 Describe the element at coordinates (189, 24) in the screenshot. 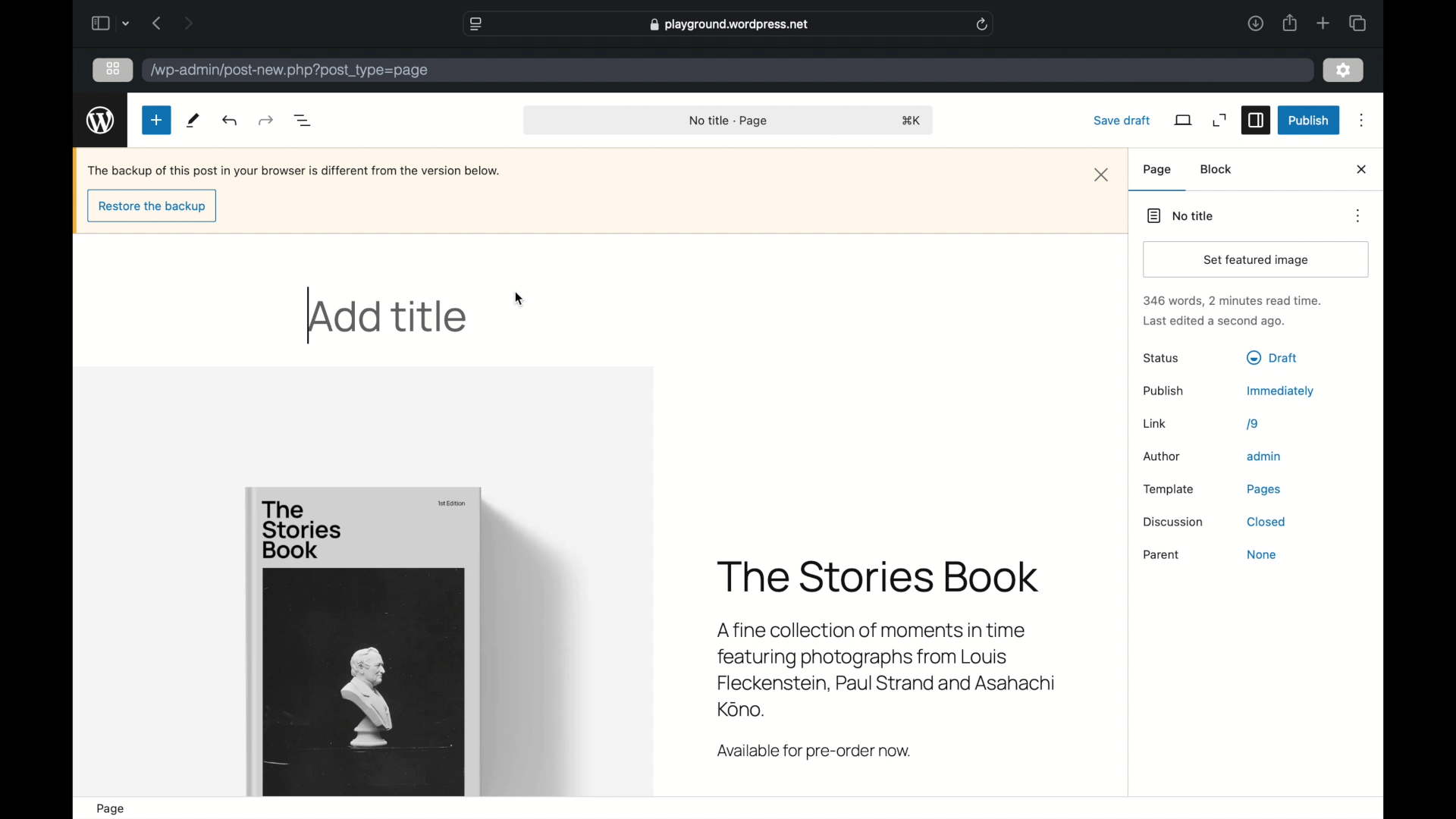

I see `next page` at that location.